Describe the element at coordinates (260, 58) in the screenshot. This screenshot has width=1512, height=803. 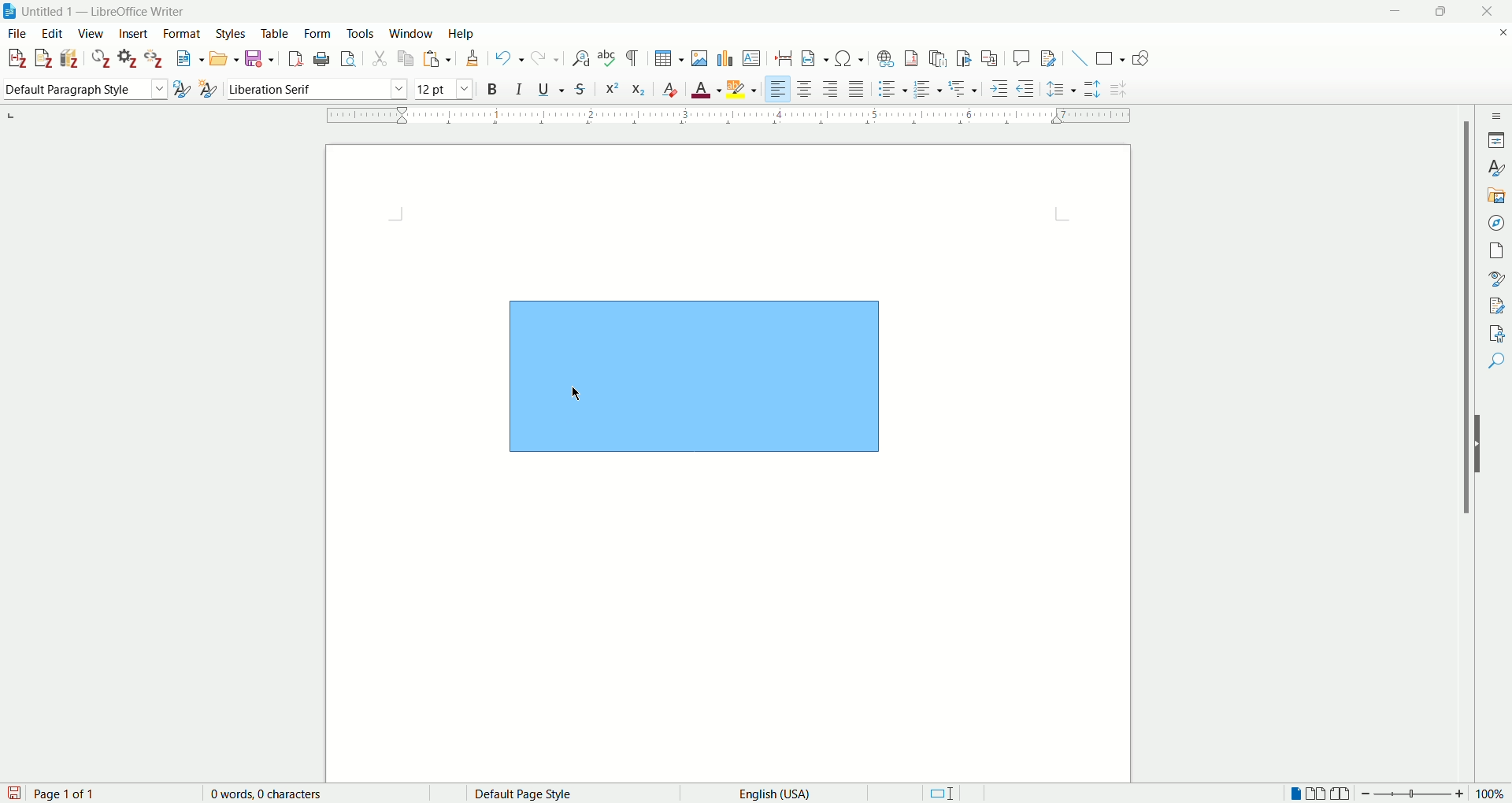
I see `save` at that location.